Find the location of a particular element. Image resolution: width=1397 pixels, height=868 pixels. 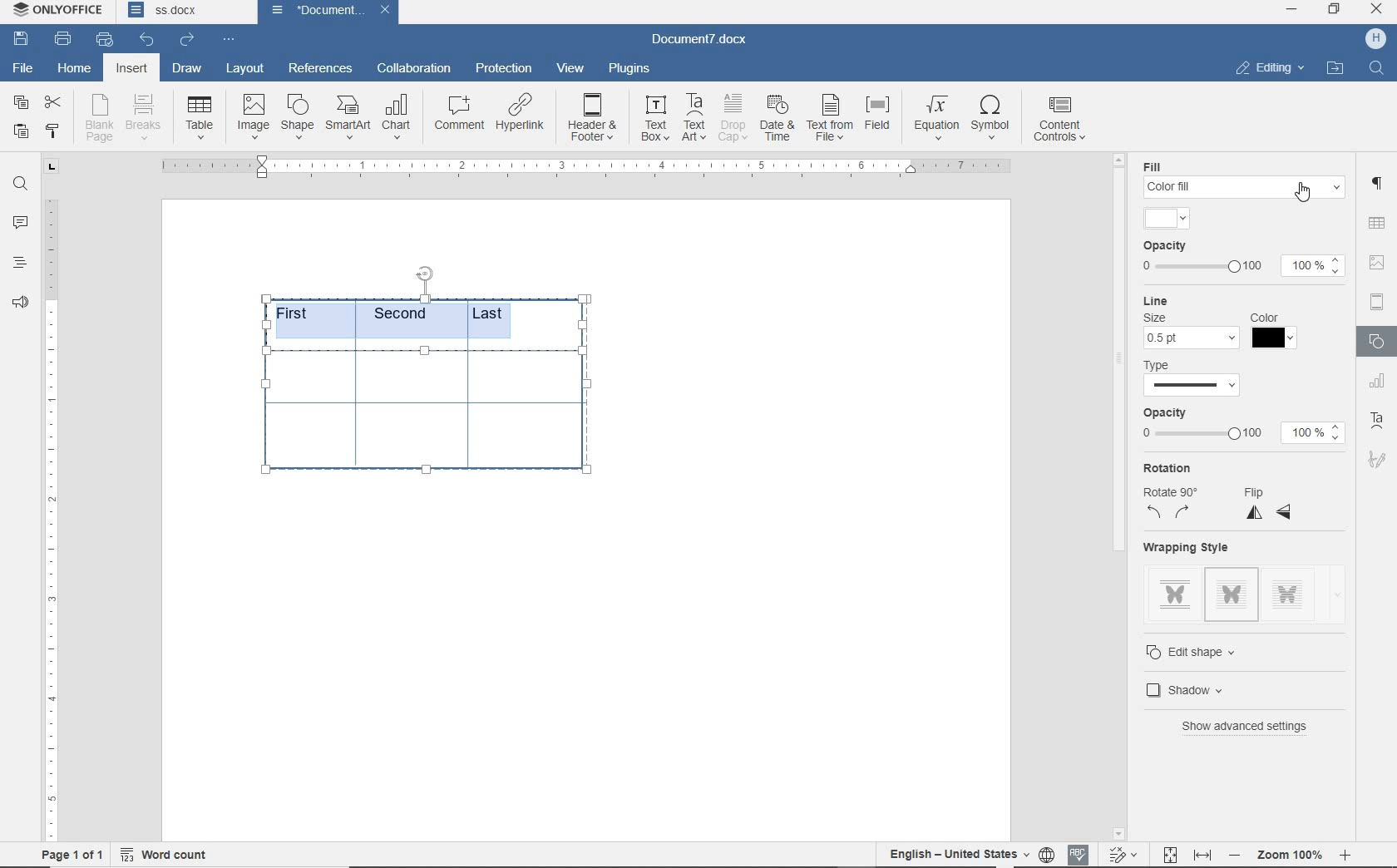

scroll up is located at coordinates (1117, 160).